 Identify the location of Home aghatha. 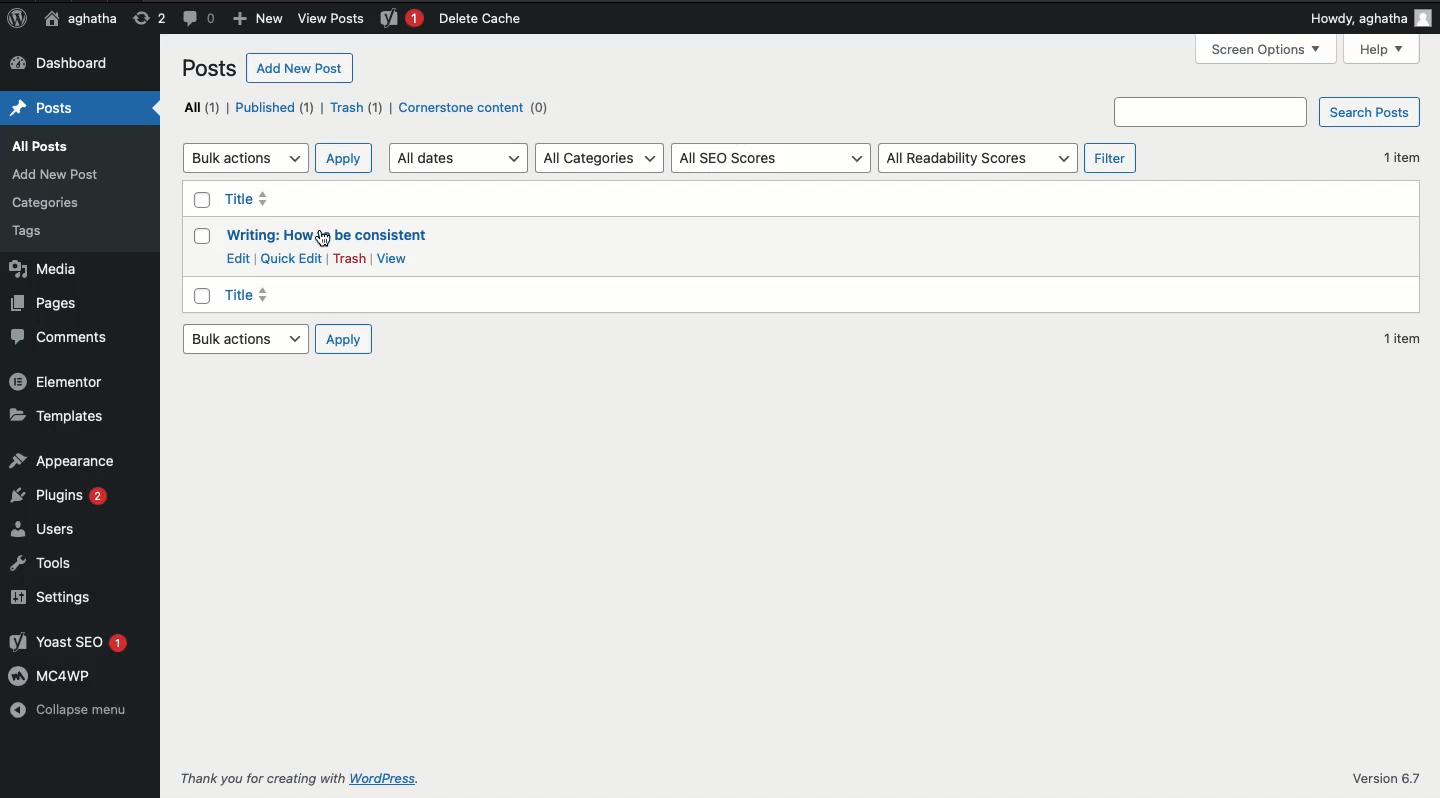
(80, 19).